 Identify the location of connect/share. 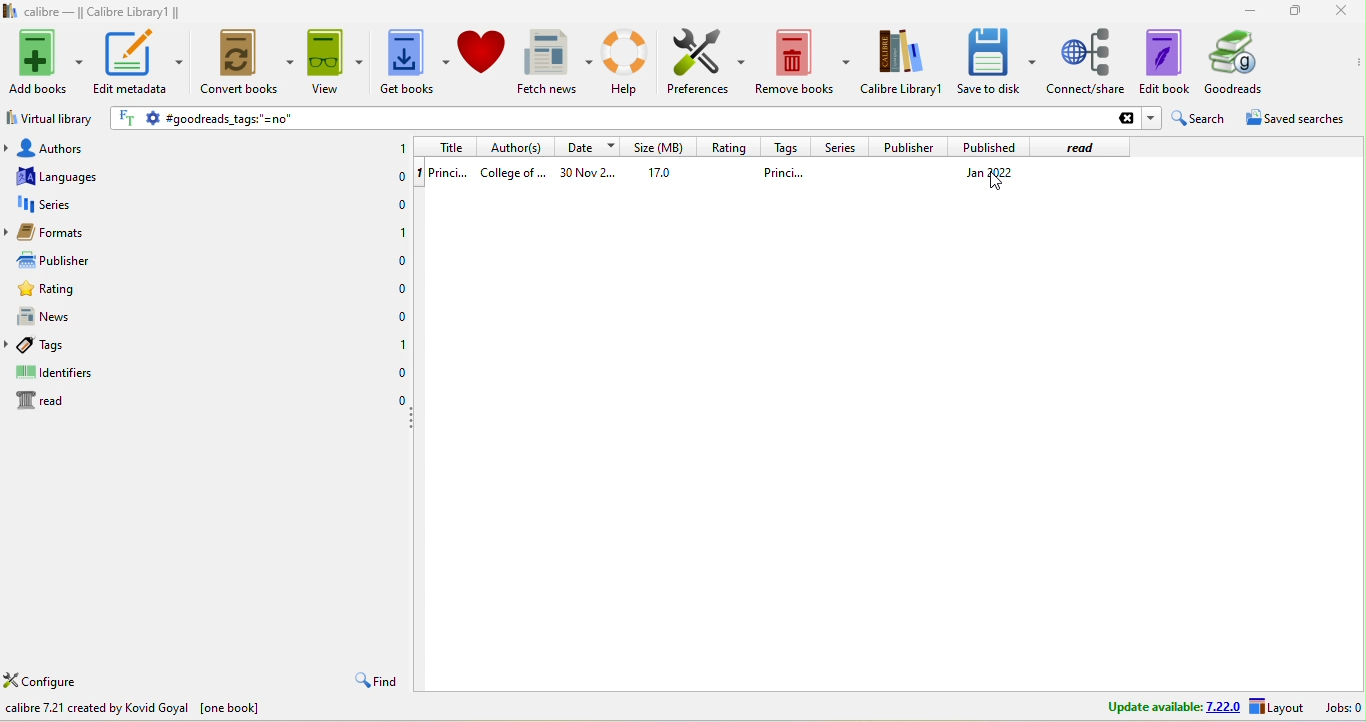
(1087, 62).